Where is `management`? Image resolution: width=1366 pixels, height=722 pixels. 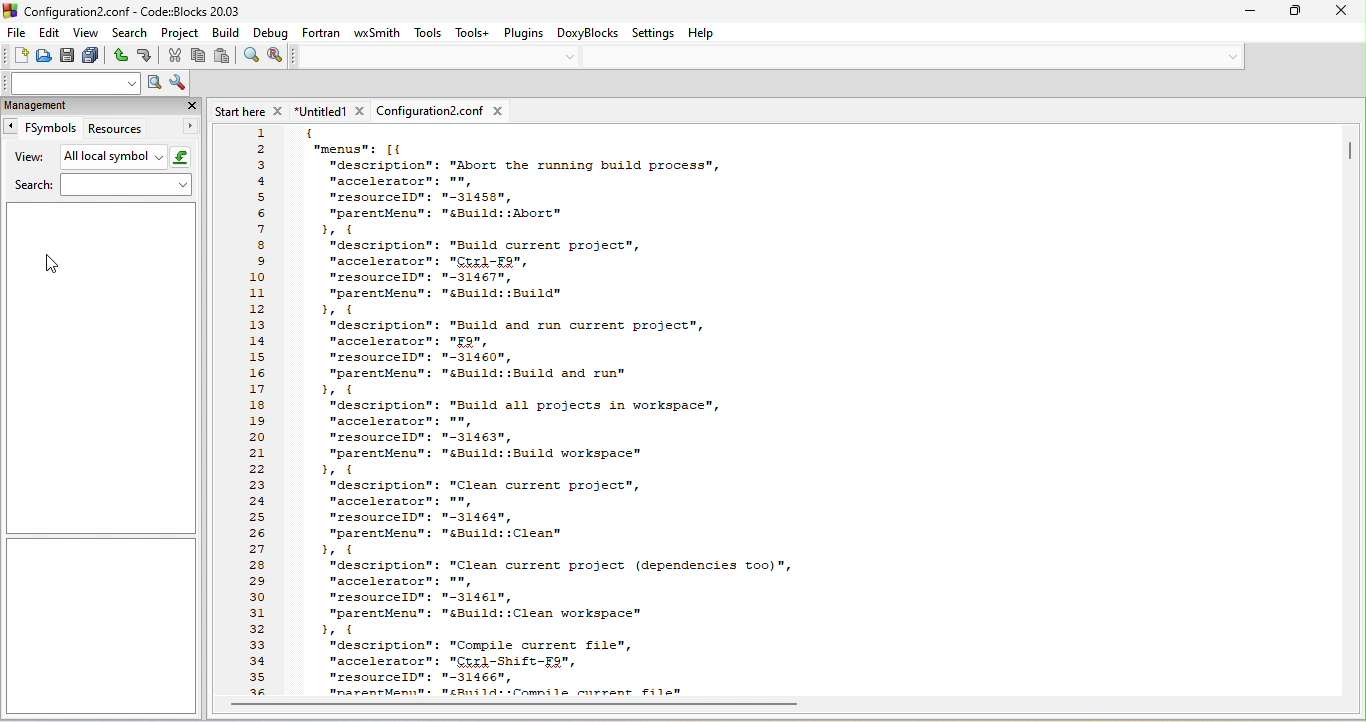
management is located at coordinates (77, 107).